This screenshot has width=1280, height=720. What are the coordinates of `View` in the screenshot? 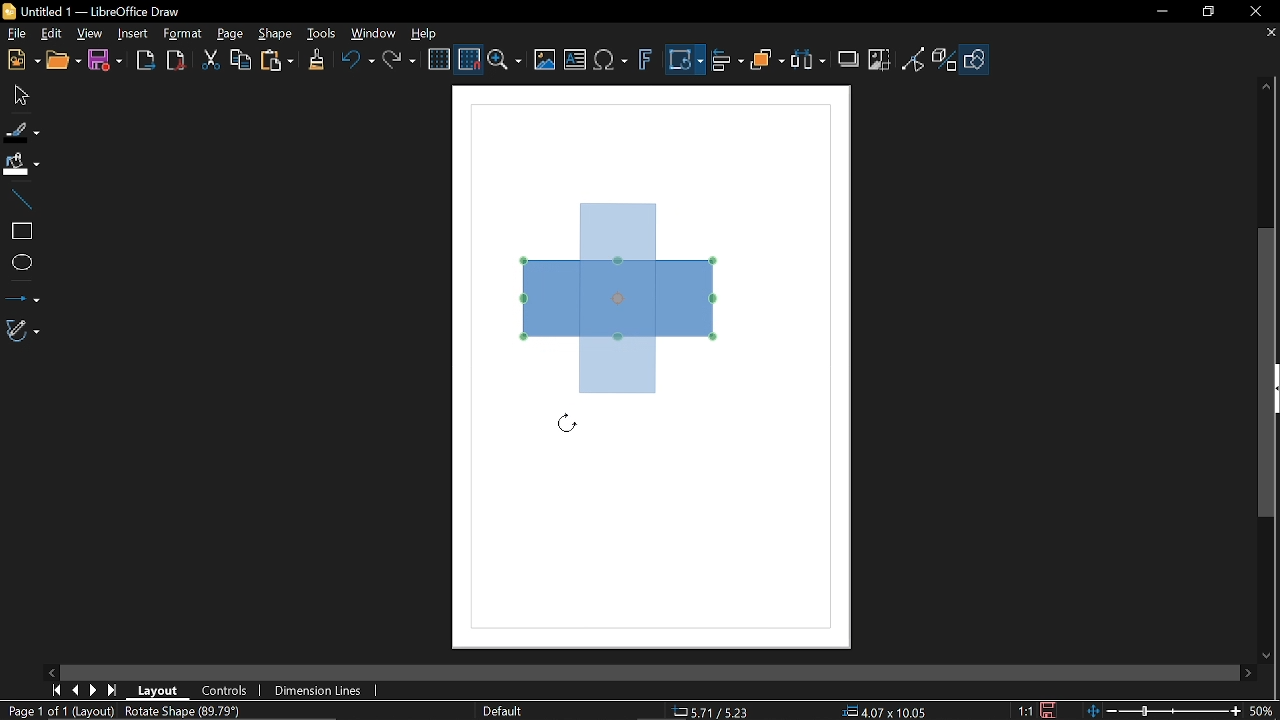 It's located at (87, 33).